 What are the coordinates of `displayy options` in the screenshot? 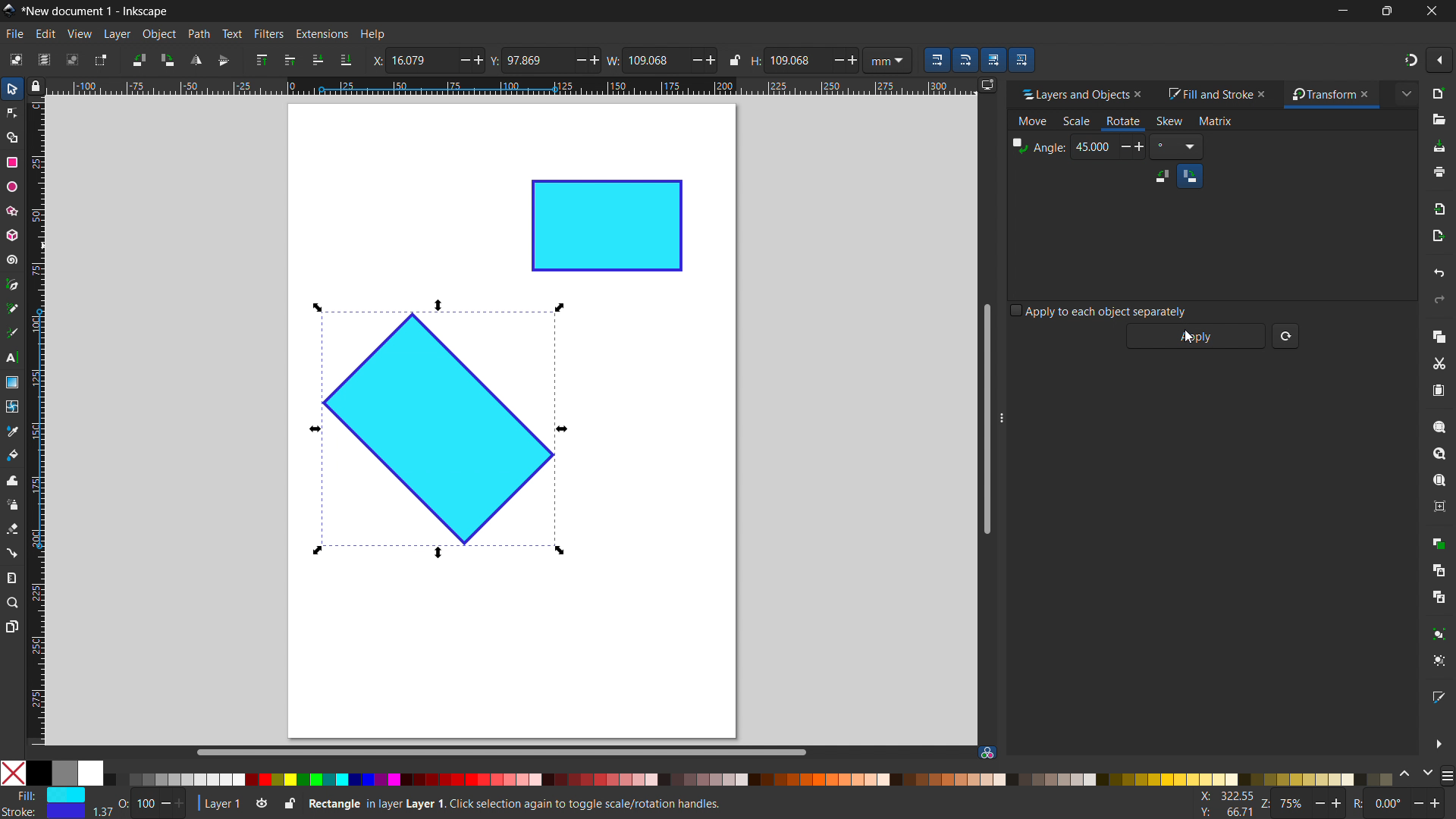 It's located at (987, 85).